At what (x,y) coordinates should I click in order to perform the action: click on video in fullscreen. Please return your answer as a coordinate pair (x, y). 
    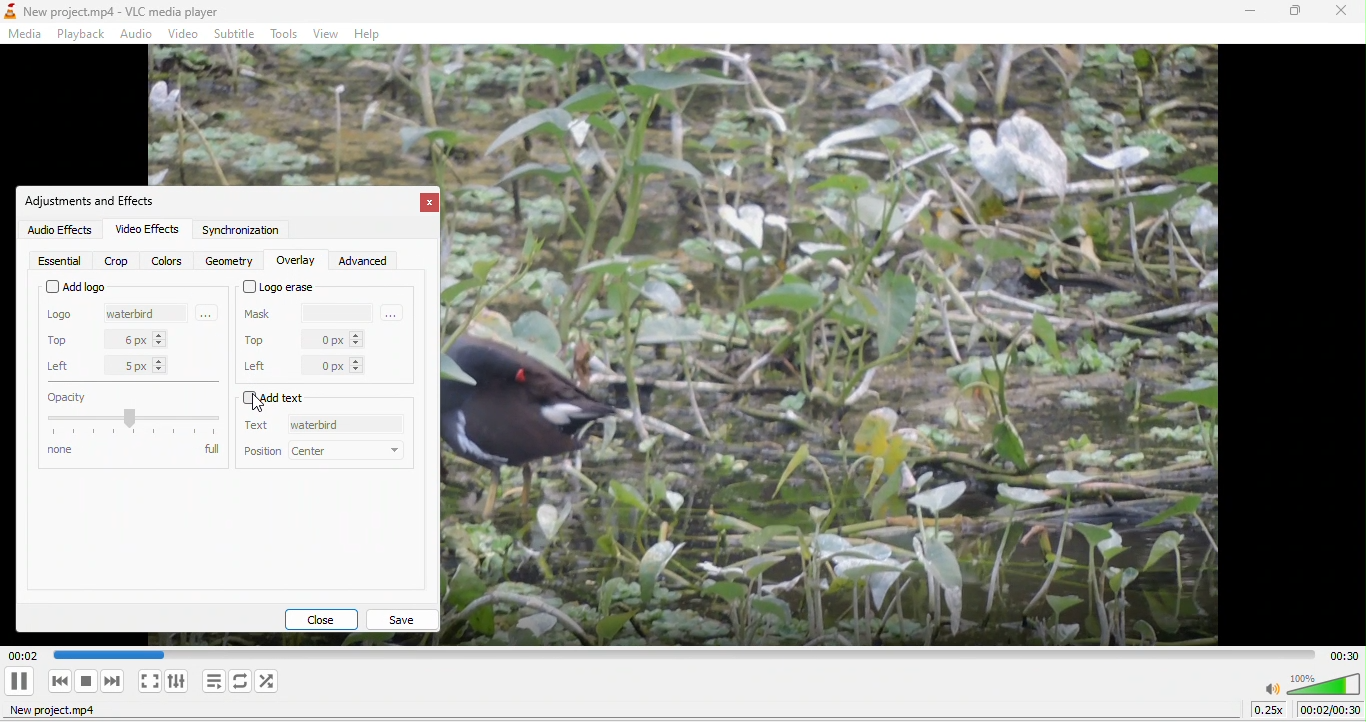
    Looking at the image, I should click on (150, 684).